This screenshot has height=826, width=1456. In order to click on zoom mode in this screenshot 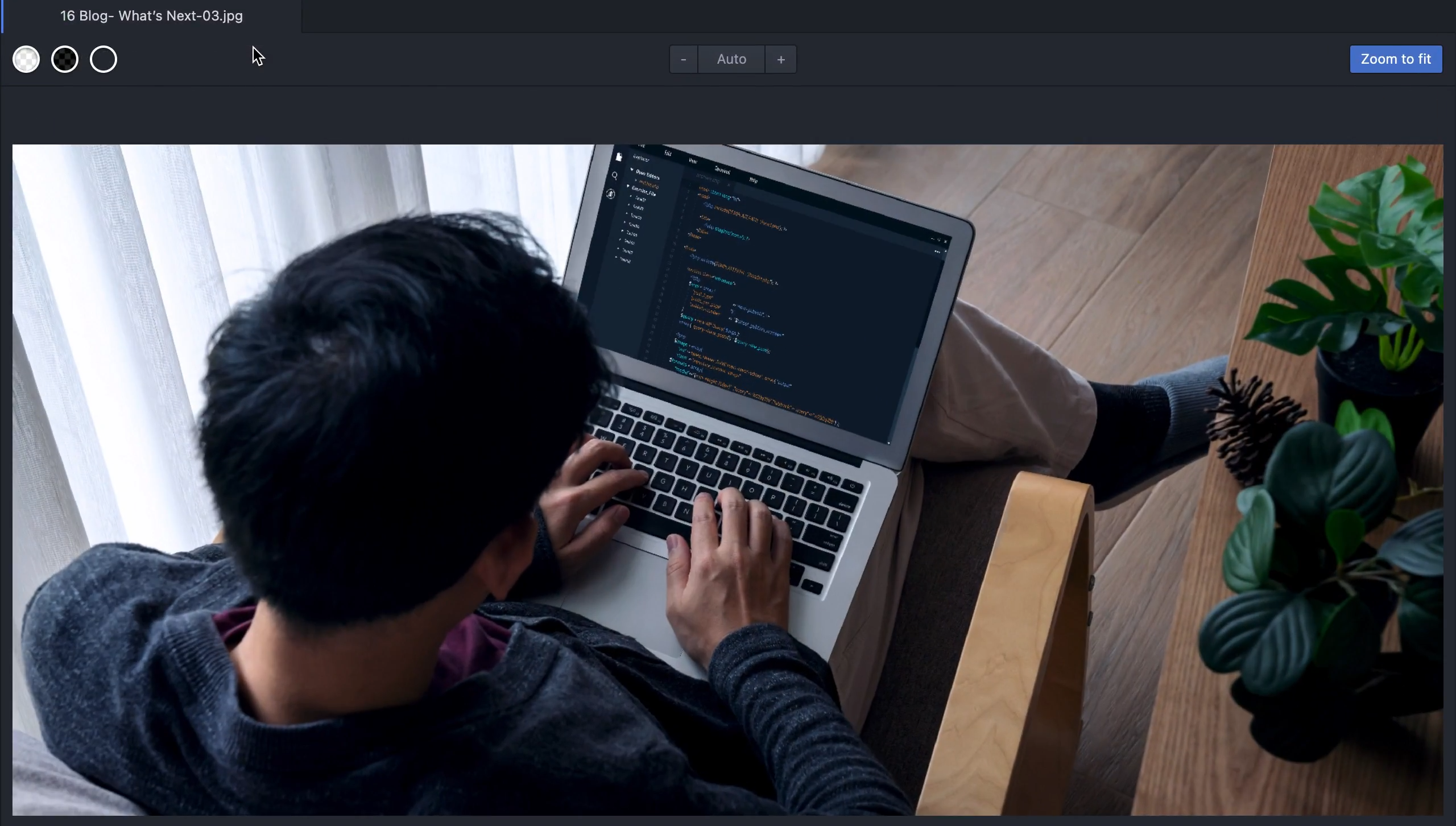, I will do `click(729, 59)`.